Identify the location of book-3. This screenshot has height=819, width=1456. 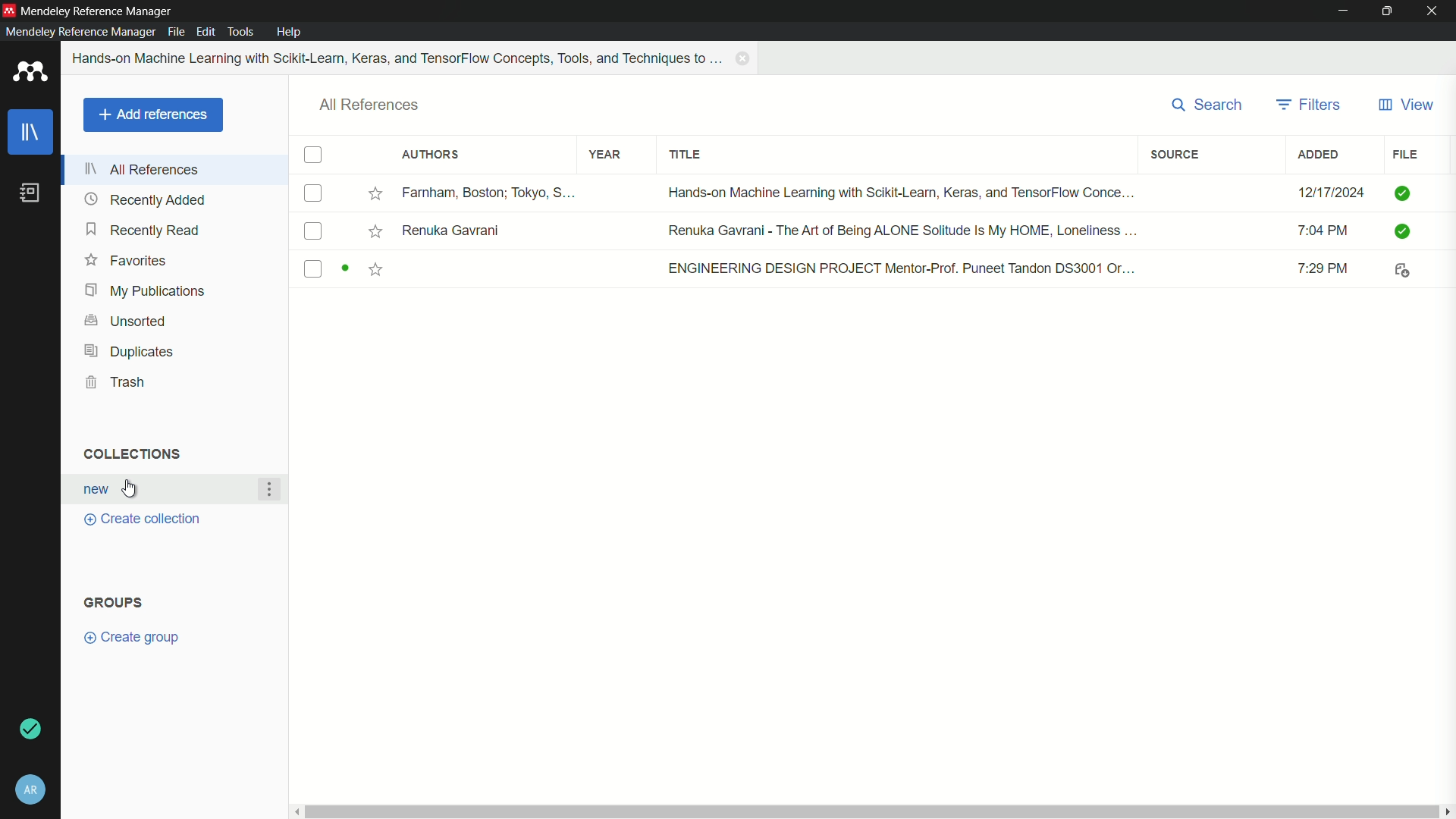
(865, 270).